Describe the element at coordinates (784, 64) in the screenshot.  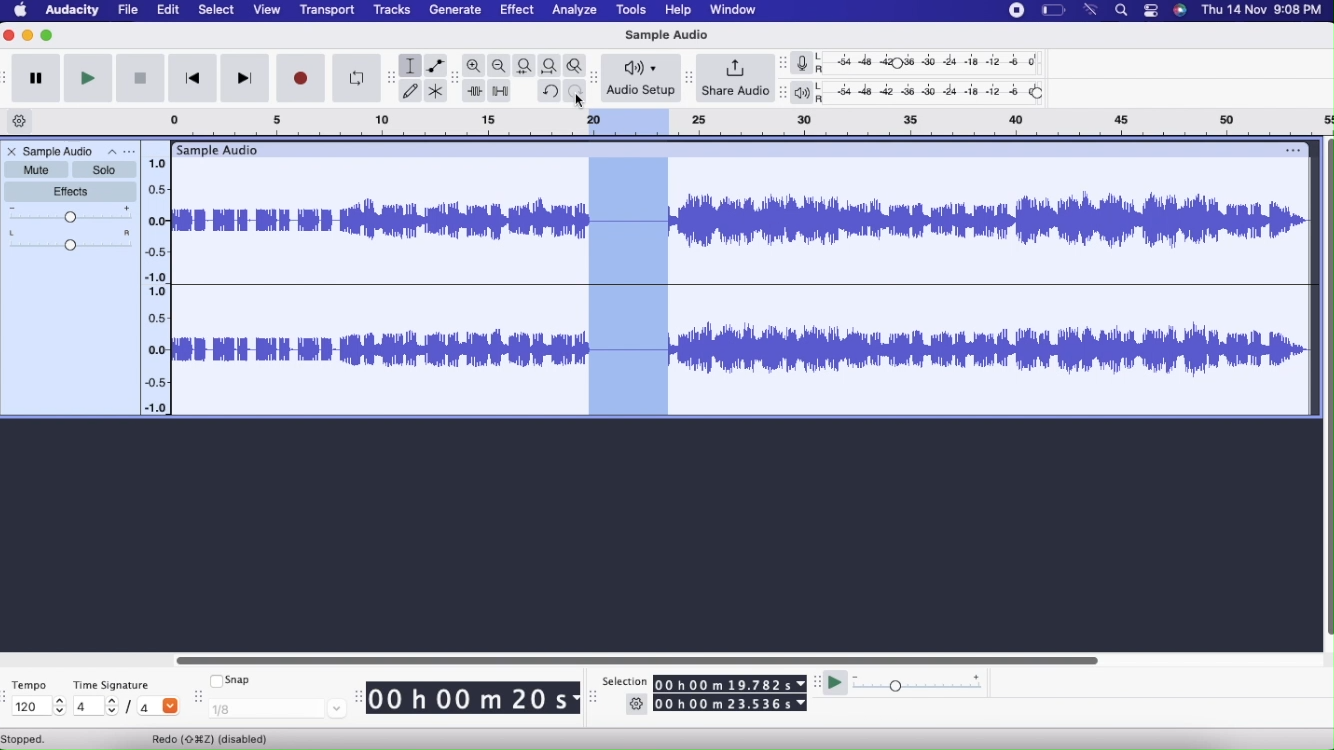
I see `move toolbar` at that location.